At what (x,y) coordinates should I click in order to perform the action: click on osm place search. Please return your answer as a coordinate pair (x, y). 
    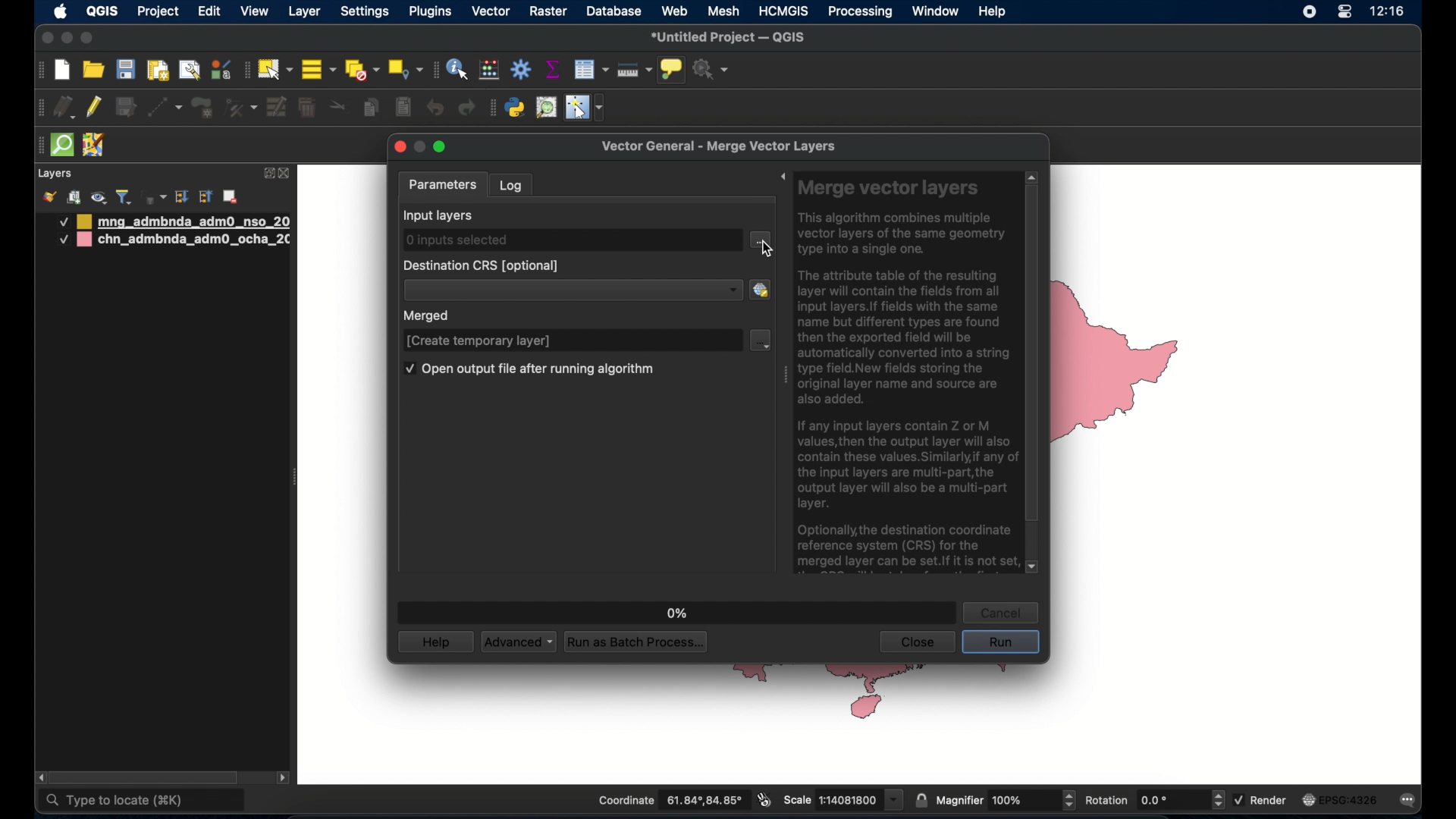
    Looking at the image, I should click on (546, 108).